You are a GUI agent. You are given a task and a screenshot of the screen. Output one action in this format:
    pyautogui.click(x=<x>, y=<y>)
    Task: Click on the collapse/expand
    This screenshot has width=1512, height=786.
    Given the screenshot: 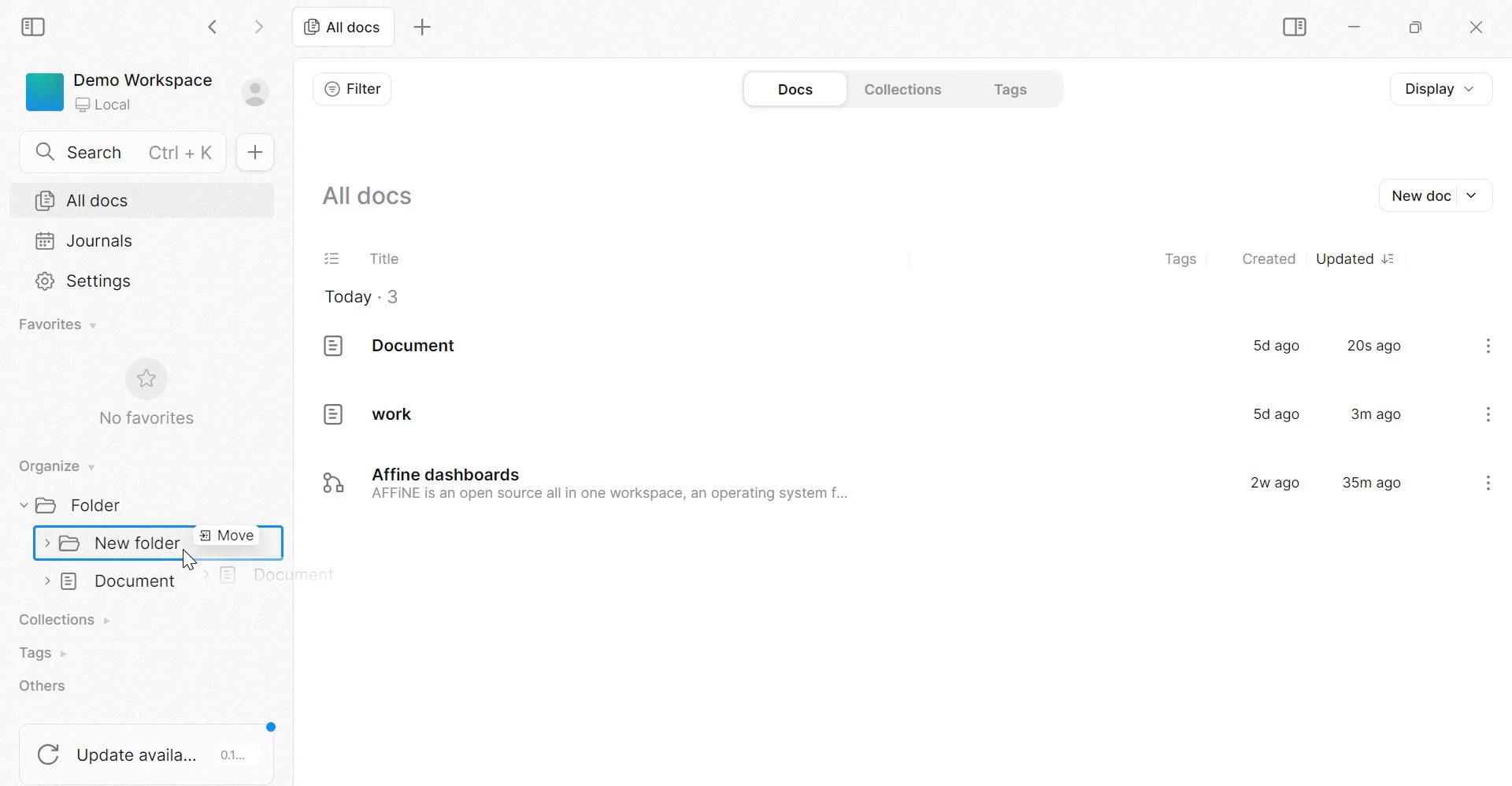 What is the action you would take?
    pyautogui.click(x=43, y=544)
    